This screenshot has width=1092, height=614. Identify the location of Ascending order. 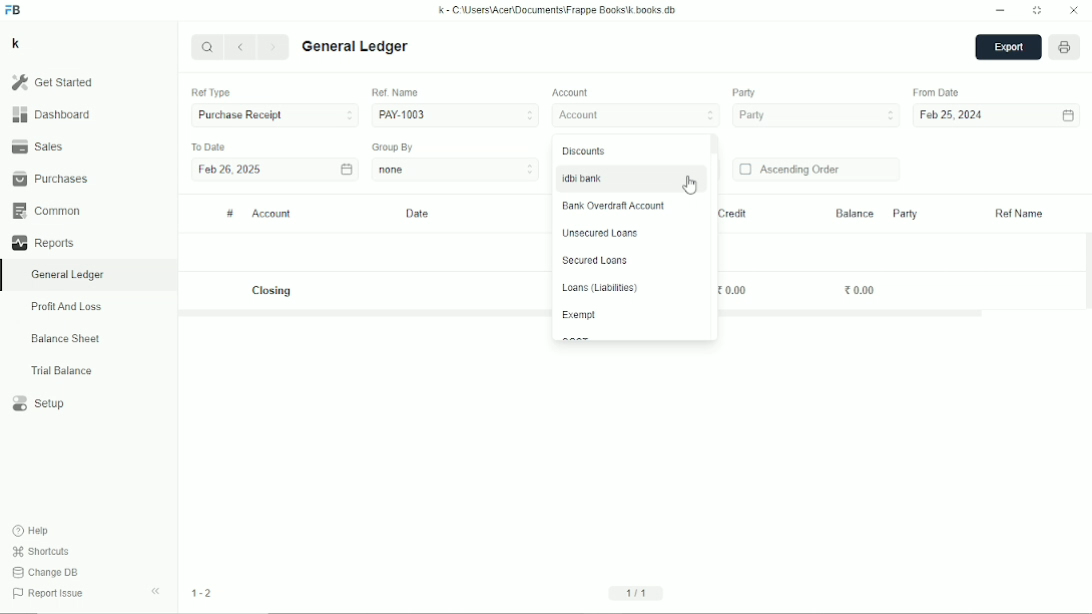
(790, 170).